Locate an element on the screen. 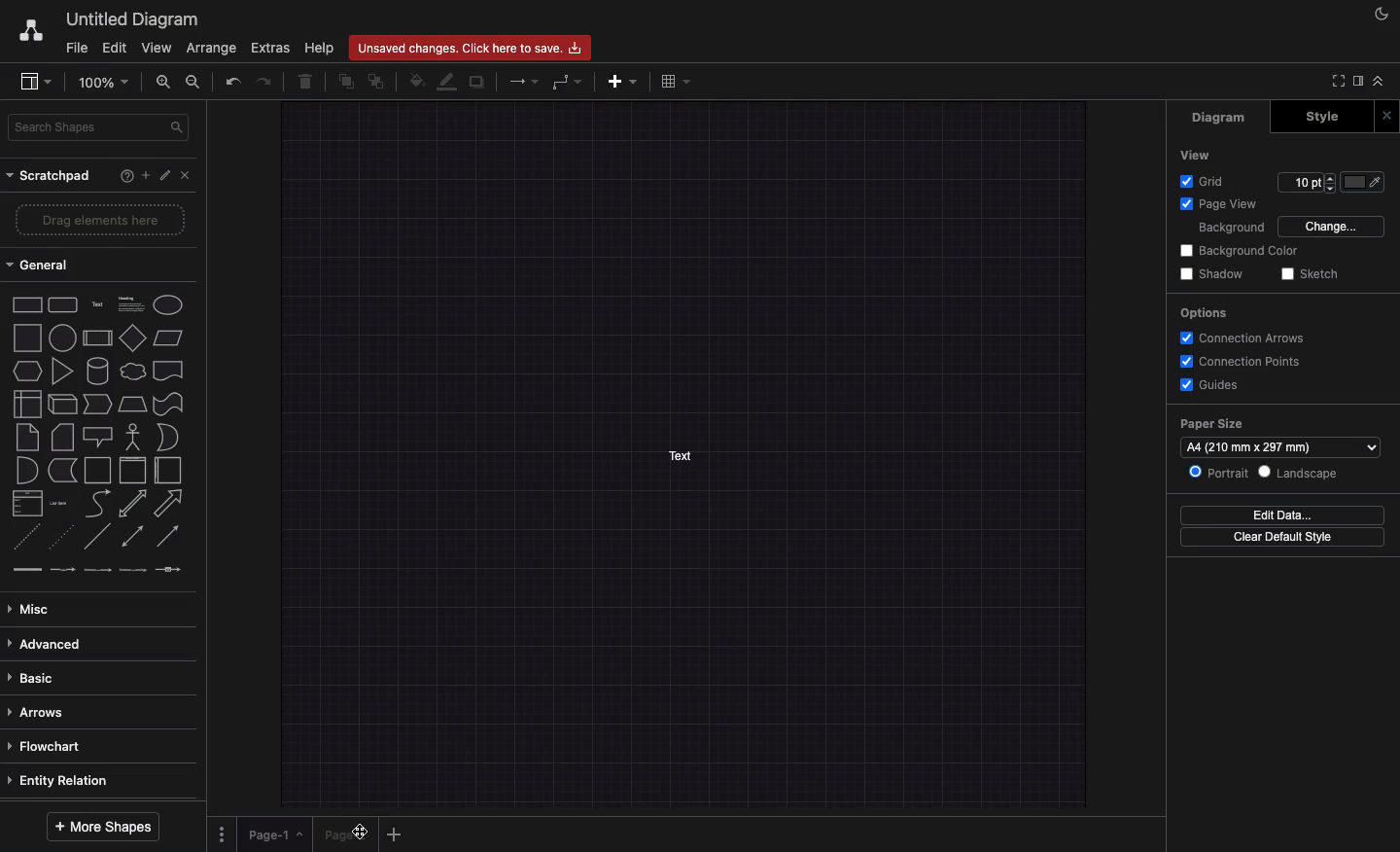 The image size is (1400, 852). To front is located at coordinates (345, 81).